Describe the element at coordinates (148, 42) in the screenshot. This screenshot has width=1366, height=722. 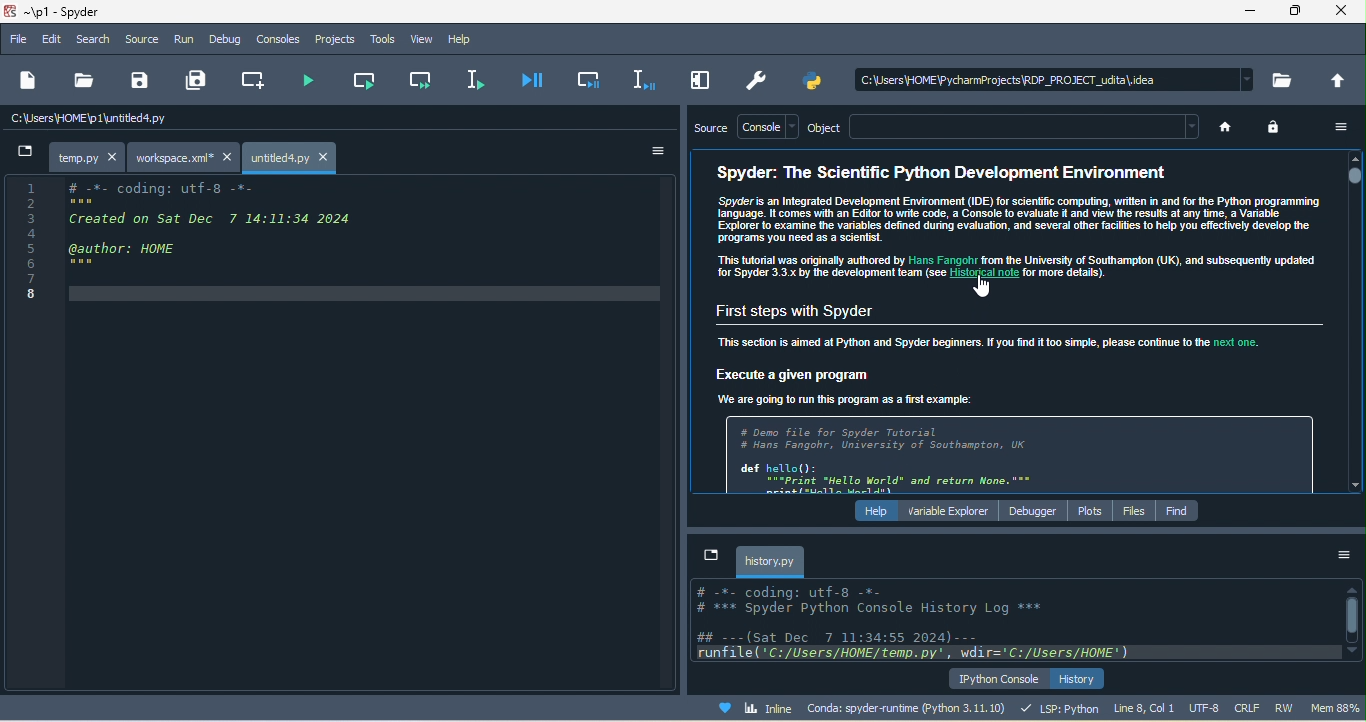
I see `source` at that location.